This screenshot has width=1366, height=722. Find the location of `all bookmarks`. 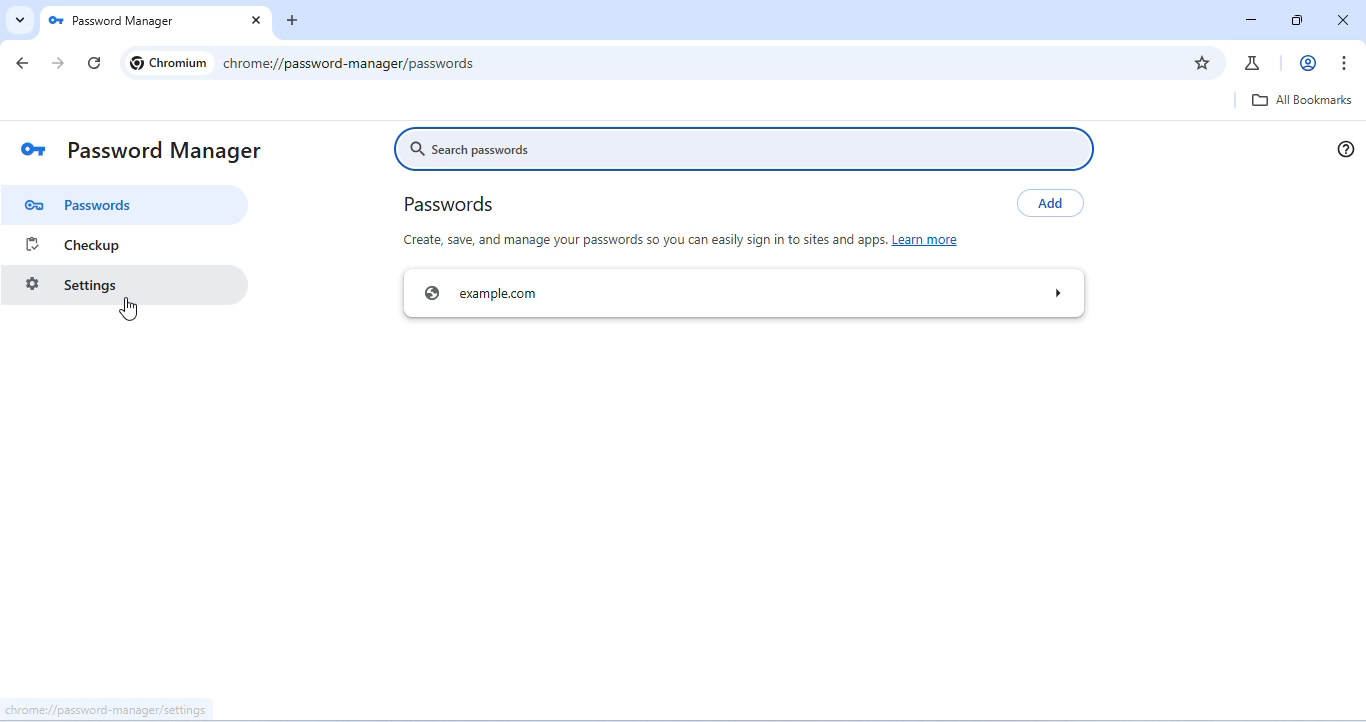

all bookmarks is located at coordinates (1305, 101).